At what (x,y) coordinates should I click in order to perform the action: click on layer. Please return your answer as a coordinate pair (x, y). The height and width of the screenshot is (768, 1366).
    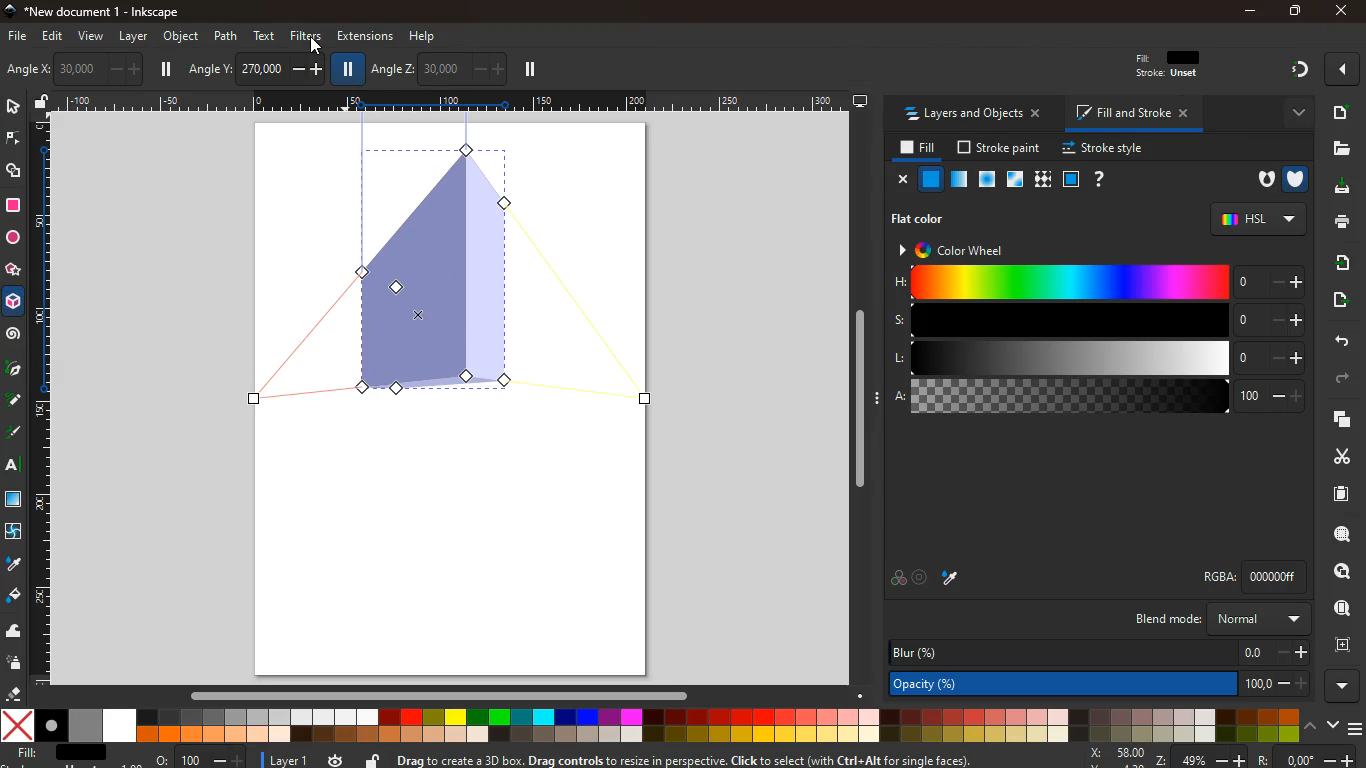
    Looking at the image, I should click on (285, 758).